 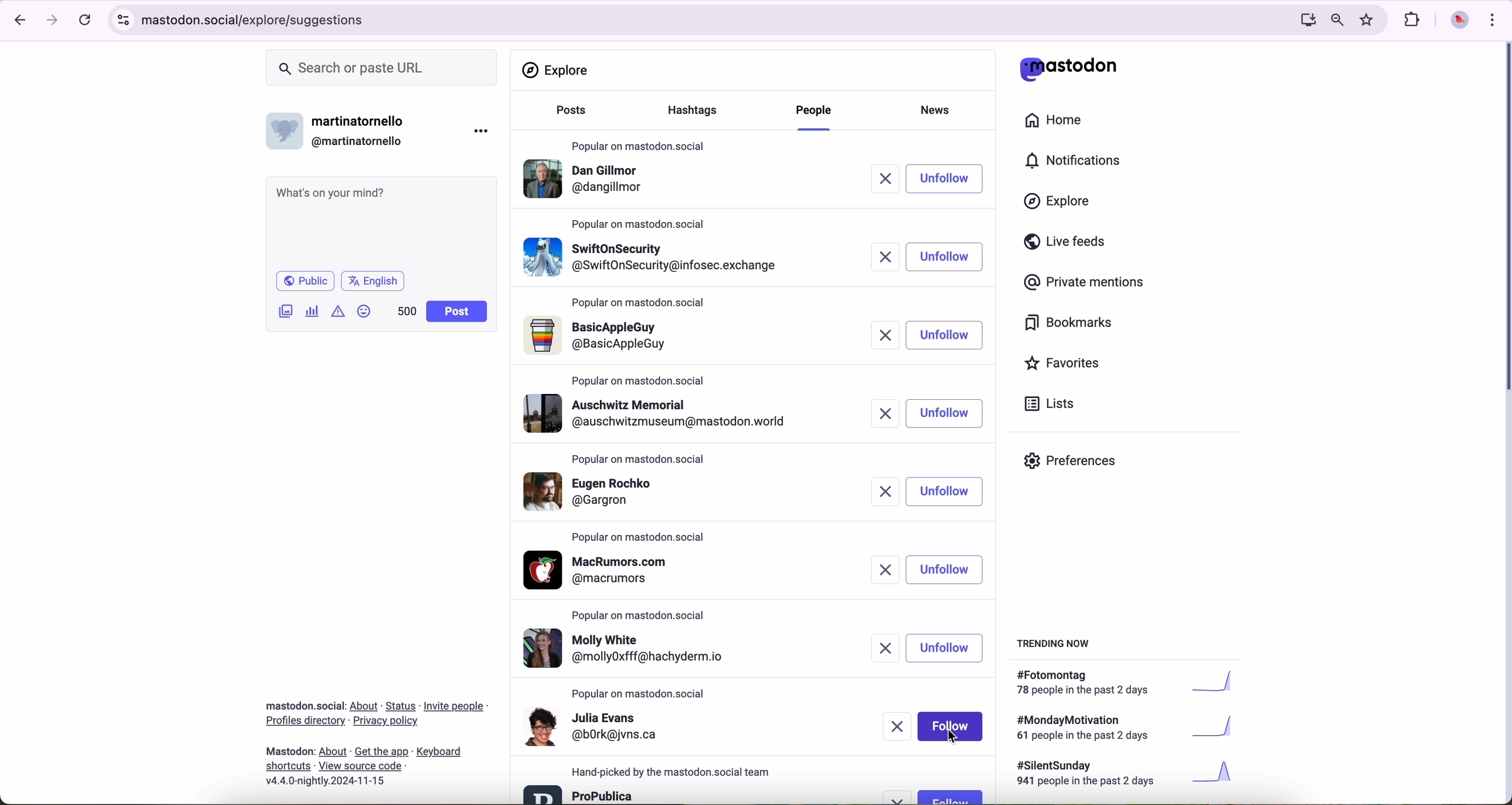 What do you see at coordinates (1456, 21) in the screenshot?
I see `profile picture` at bounding box center [1456, 21].